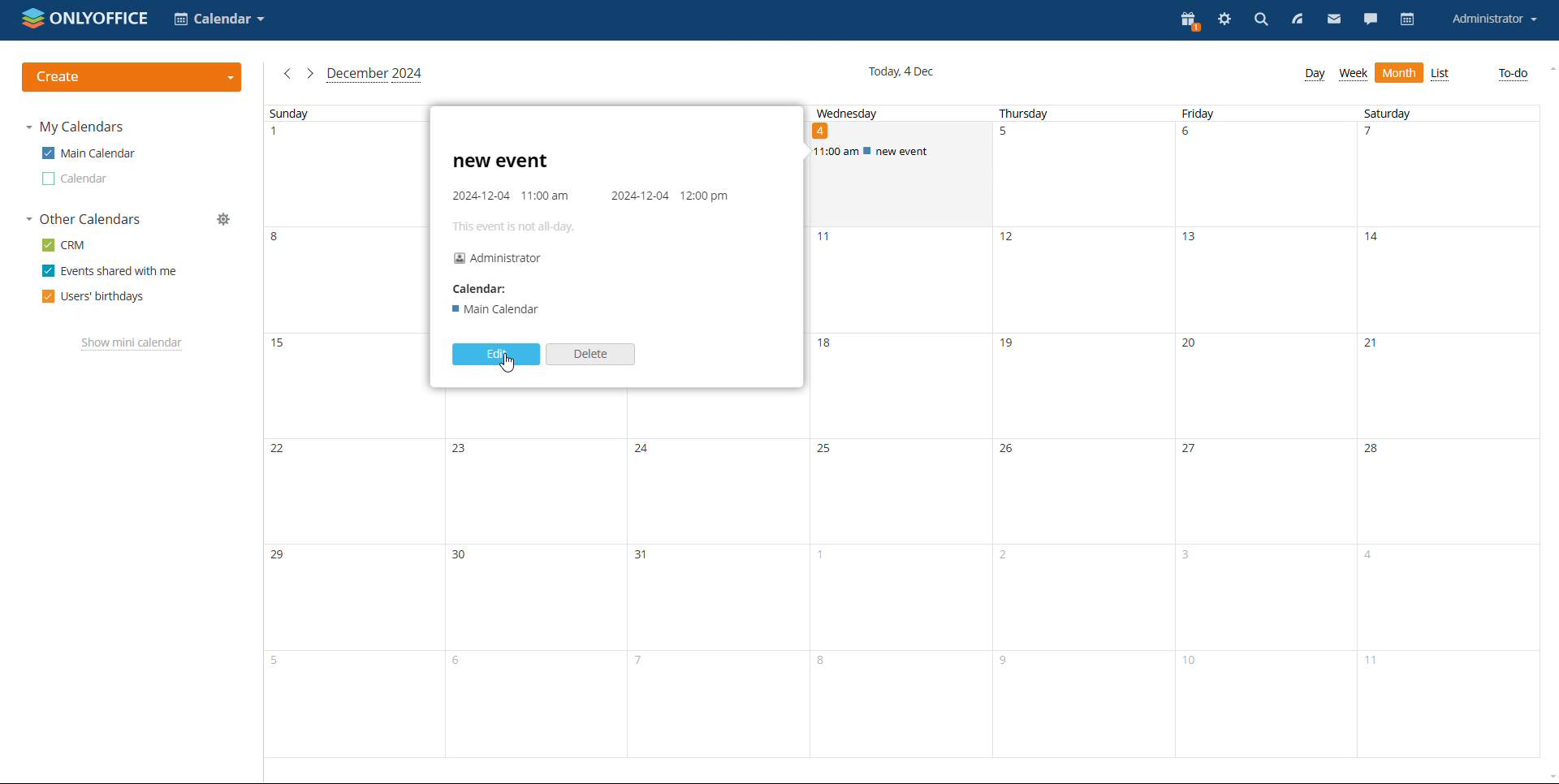 The height and width of the screenshot is (784, 1559). Describe the element at coordinates (85, 19) in the screenshot. I see `logo` at that location.